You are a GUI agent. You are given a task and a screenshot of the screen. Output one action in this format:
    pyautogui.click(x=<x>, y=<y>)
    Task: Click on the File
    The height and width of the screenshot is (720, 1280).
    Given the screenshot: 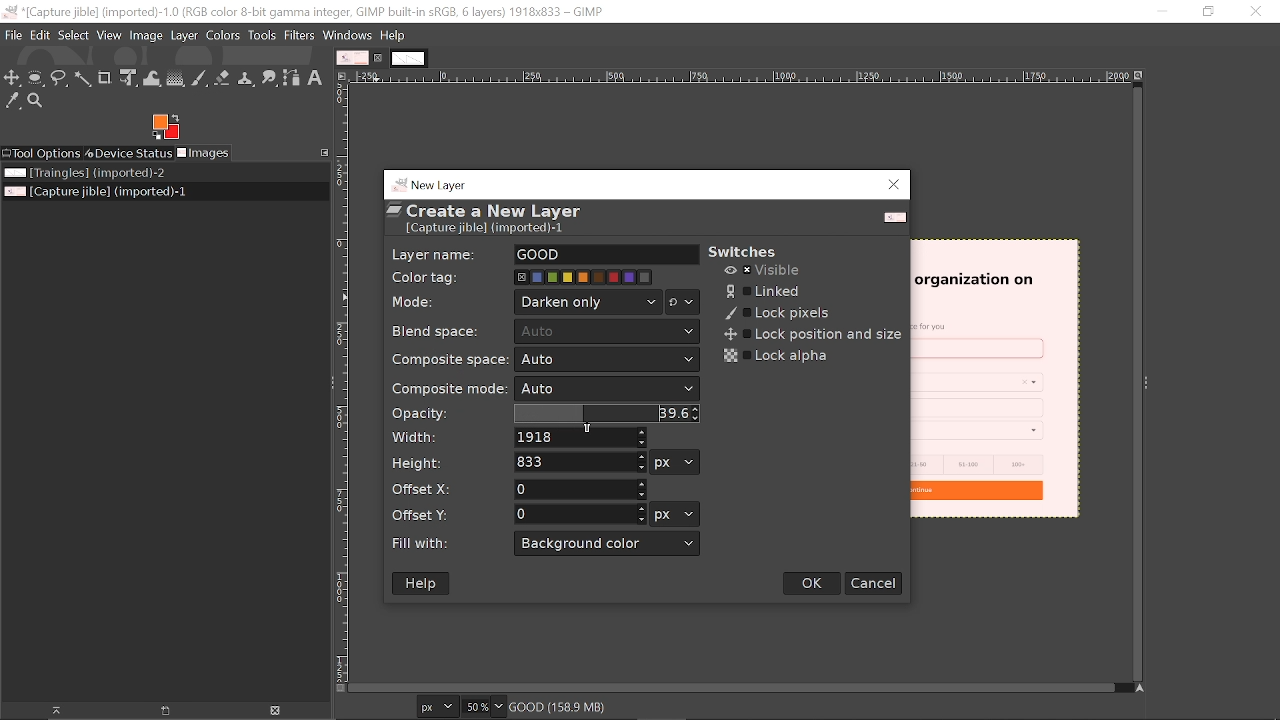 What is the action you would take?
    pyautogui.click(x=13, y=35)
    